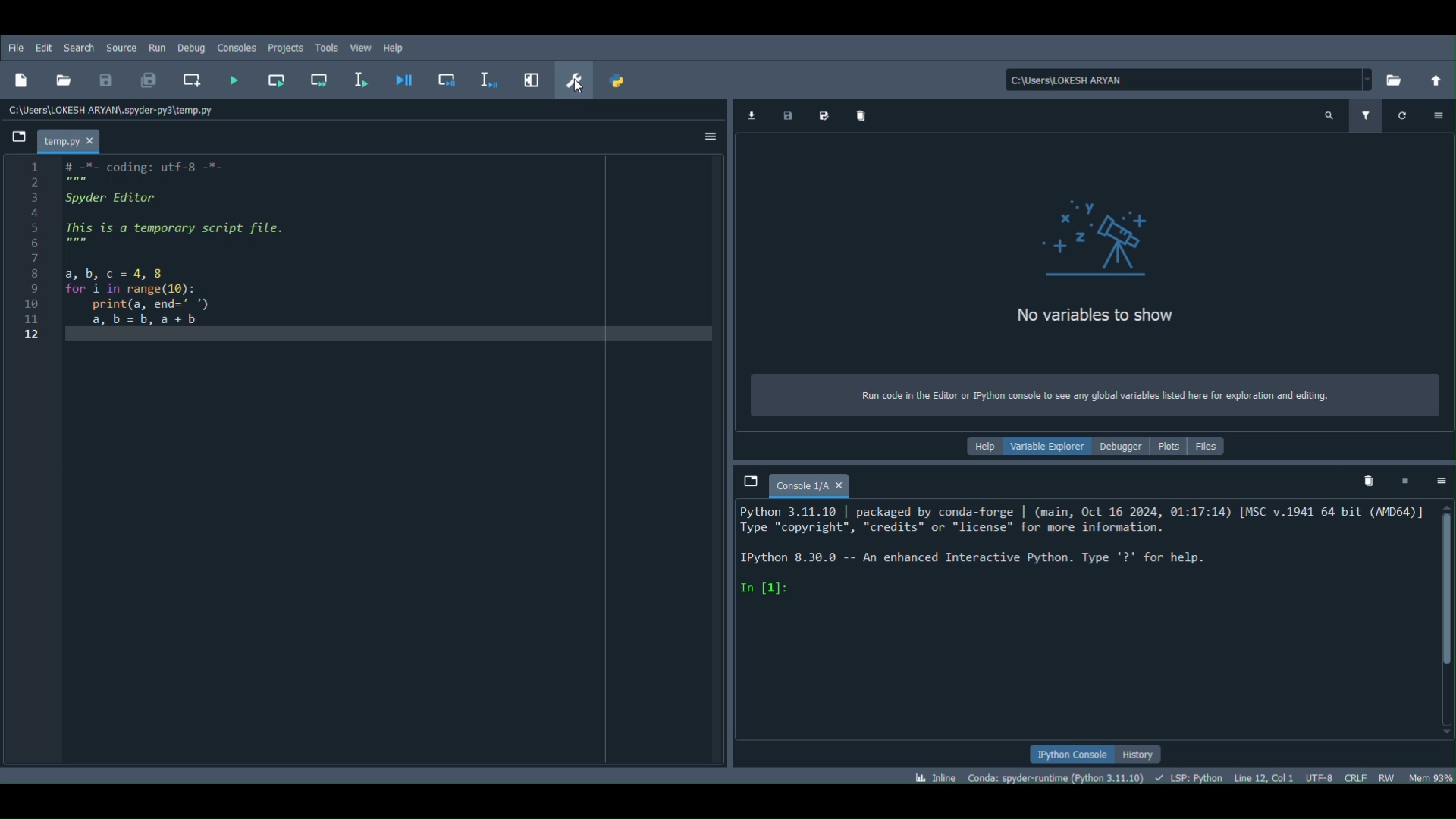 This screenshot has height=819, width=1456. Describe the element at coordinates (1263, 775) in the screenshot. I see `Cursor position` at that location.